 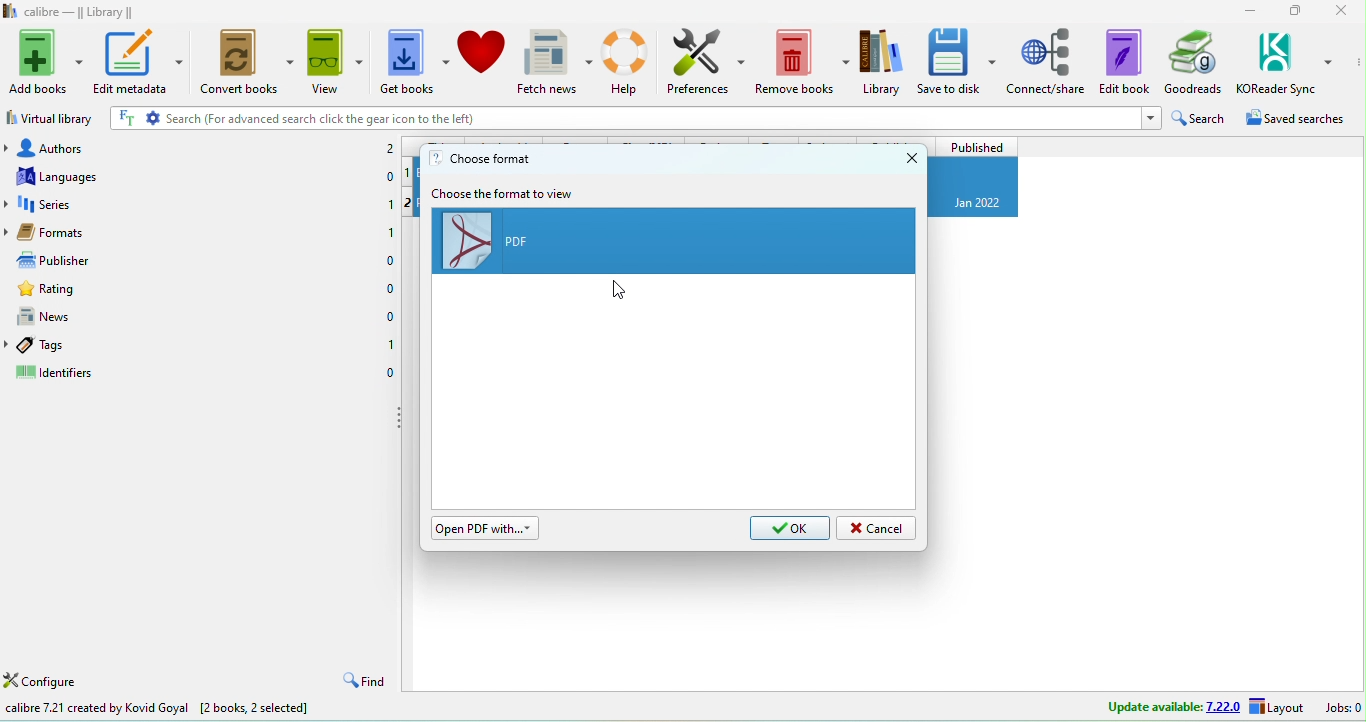 What do you see at coordinates (487, 528) in the screenshot?
I see `Open PDF with...”` at bounding box center [487, 528].